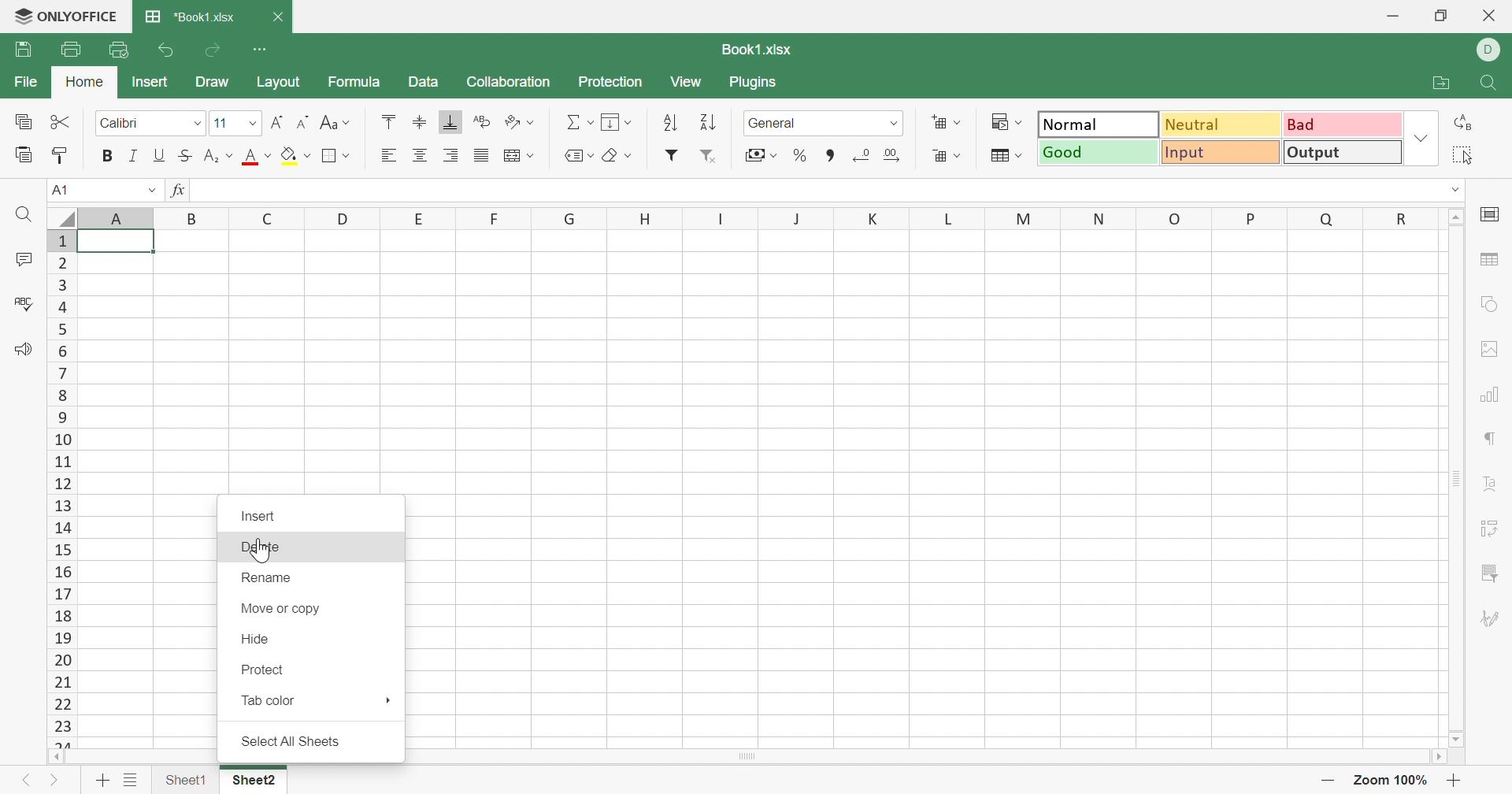 This screenshot has width=1512, height=794. I want to click on Drop Down, so click(231, 155).